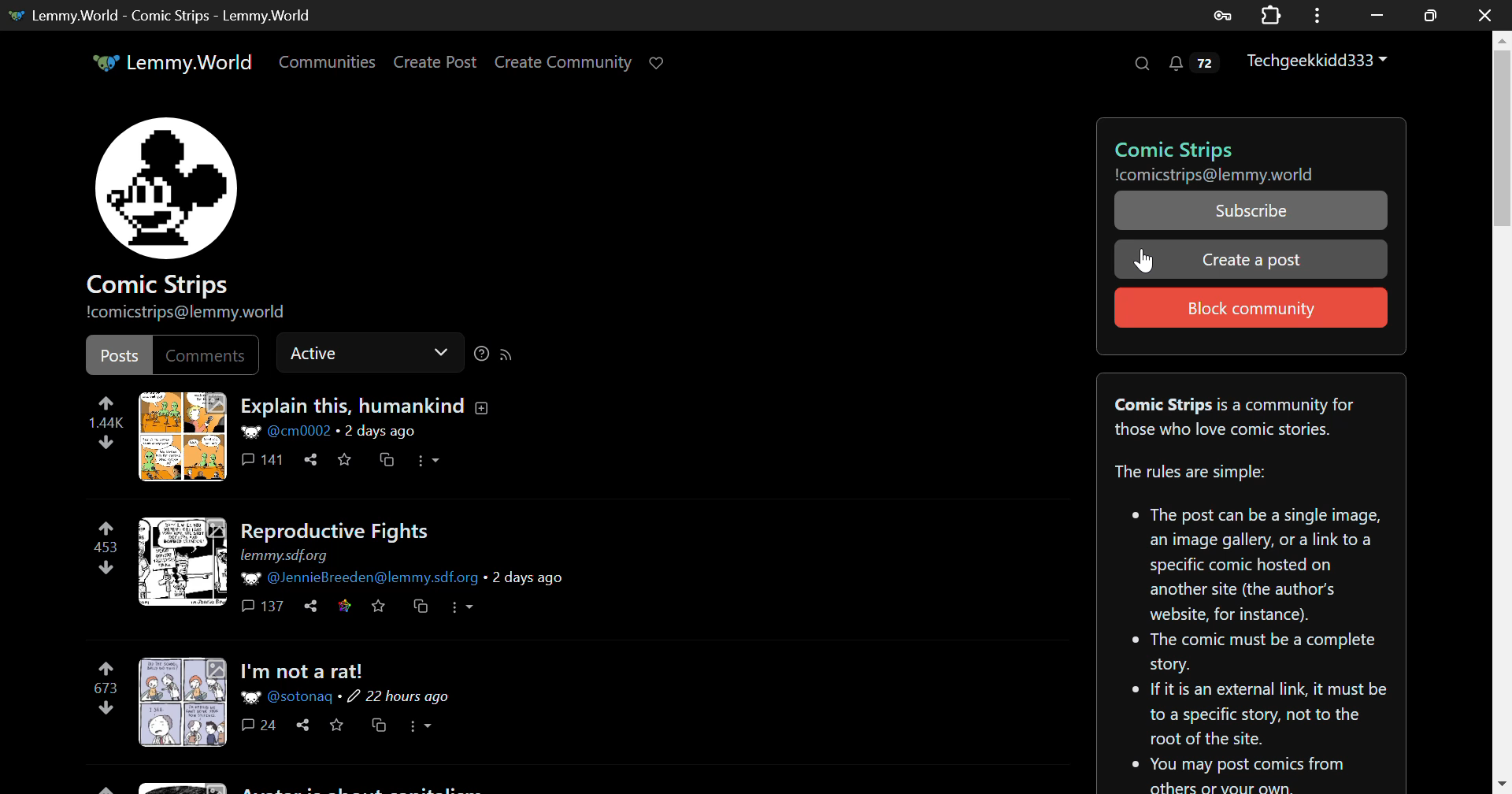 This screenshot has height=794, width=1512. Describe the element at coordinates (1252, 210) in the screenshot. I see `Subscribe` at that location.